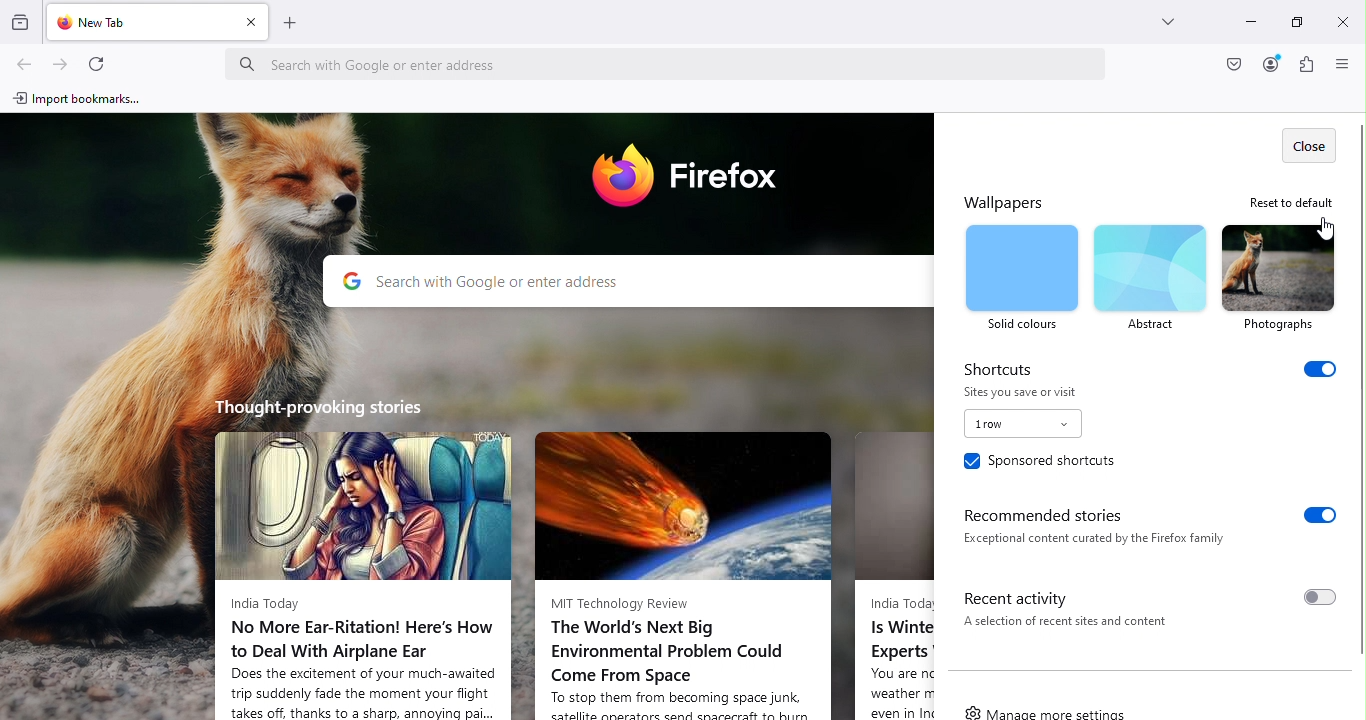  What do you see at coordinates (84, 100) in the screenshot?
I see `Import bookmarks` at bounding box center [84, 100].